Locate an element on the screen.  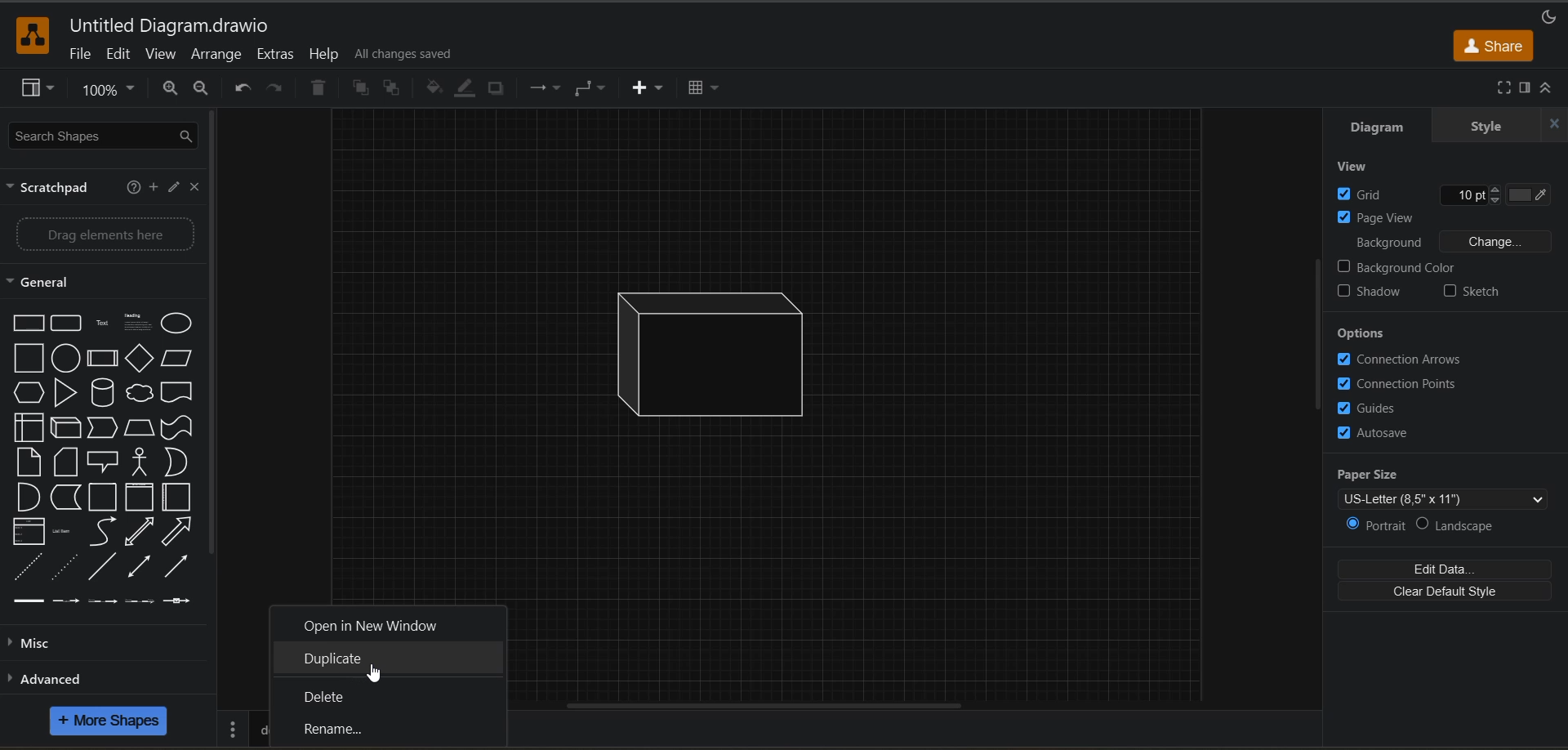
arrange is located at coordinates (218, 54).